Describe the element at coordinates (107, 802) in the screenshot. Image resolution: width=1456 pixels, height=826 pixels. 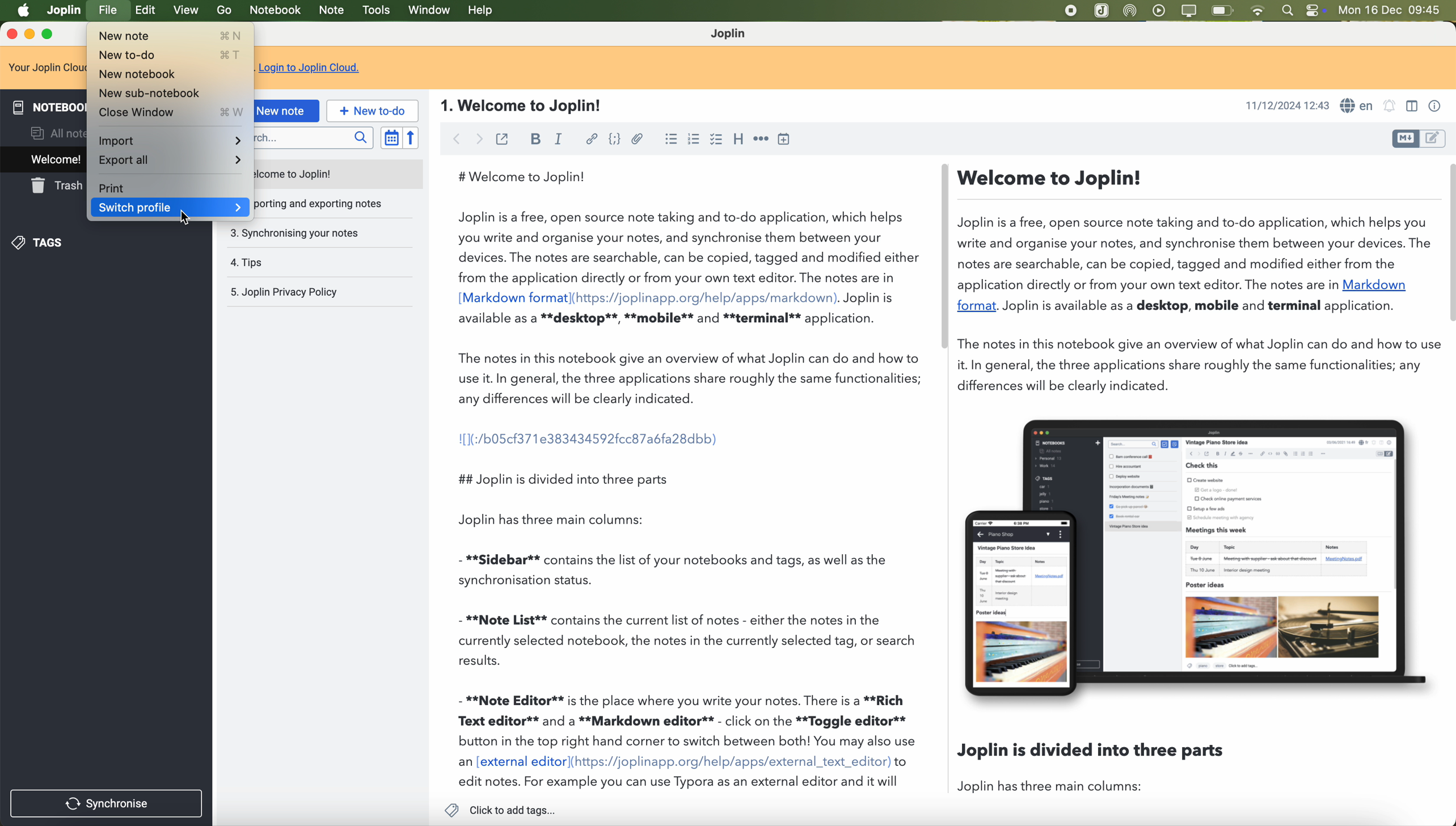
I see `synchronise` at that location.